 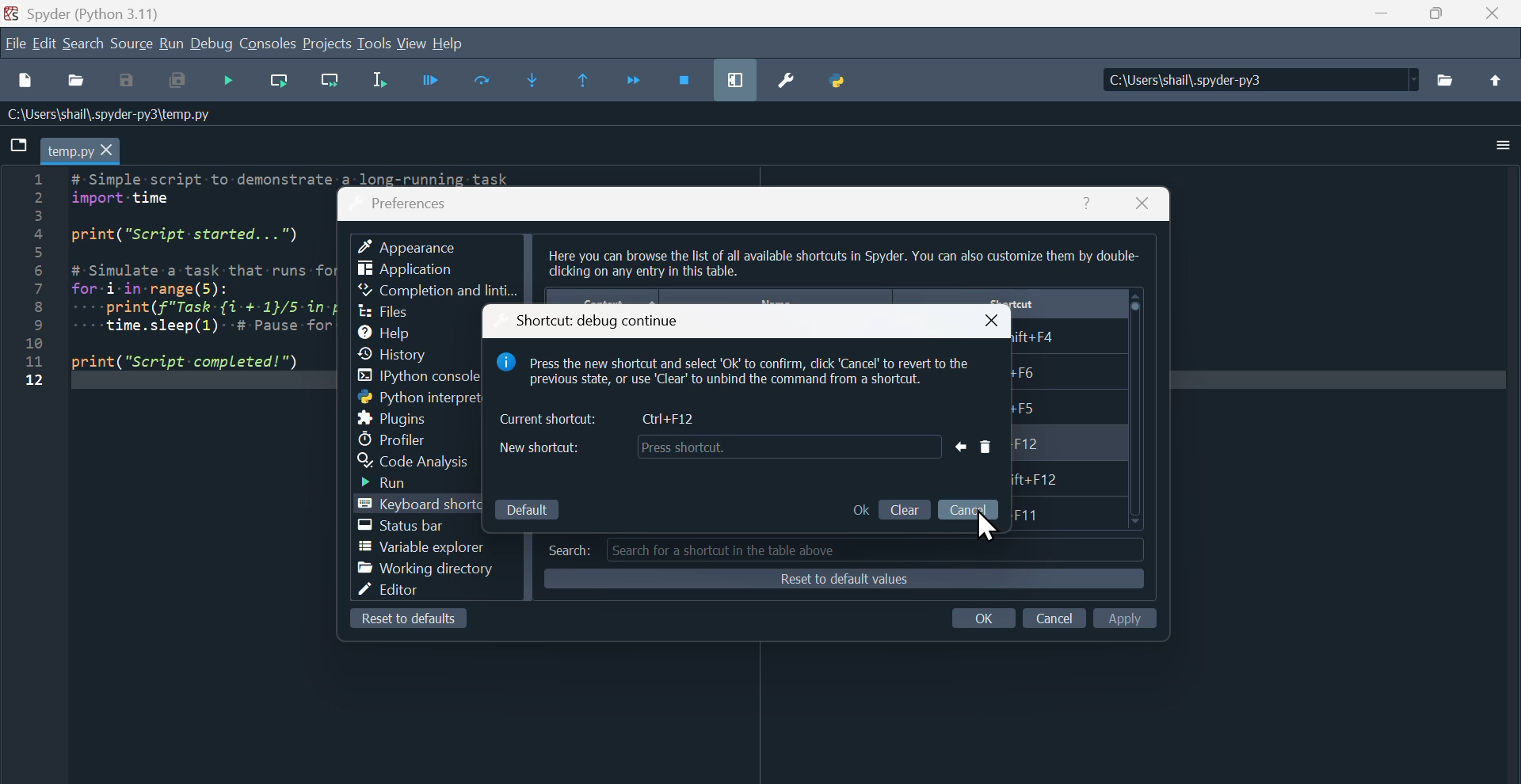 I want to click on Maximise, so click(x=1436, y=16).